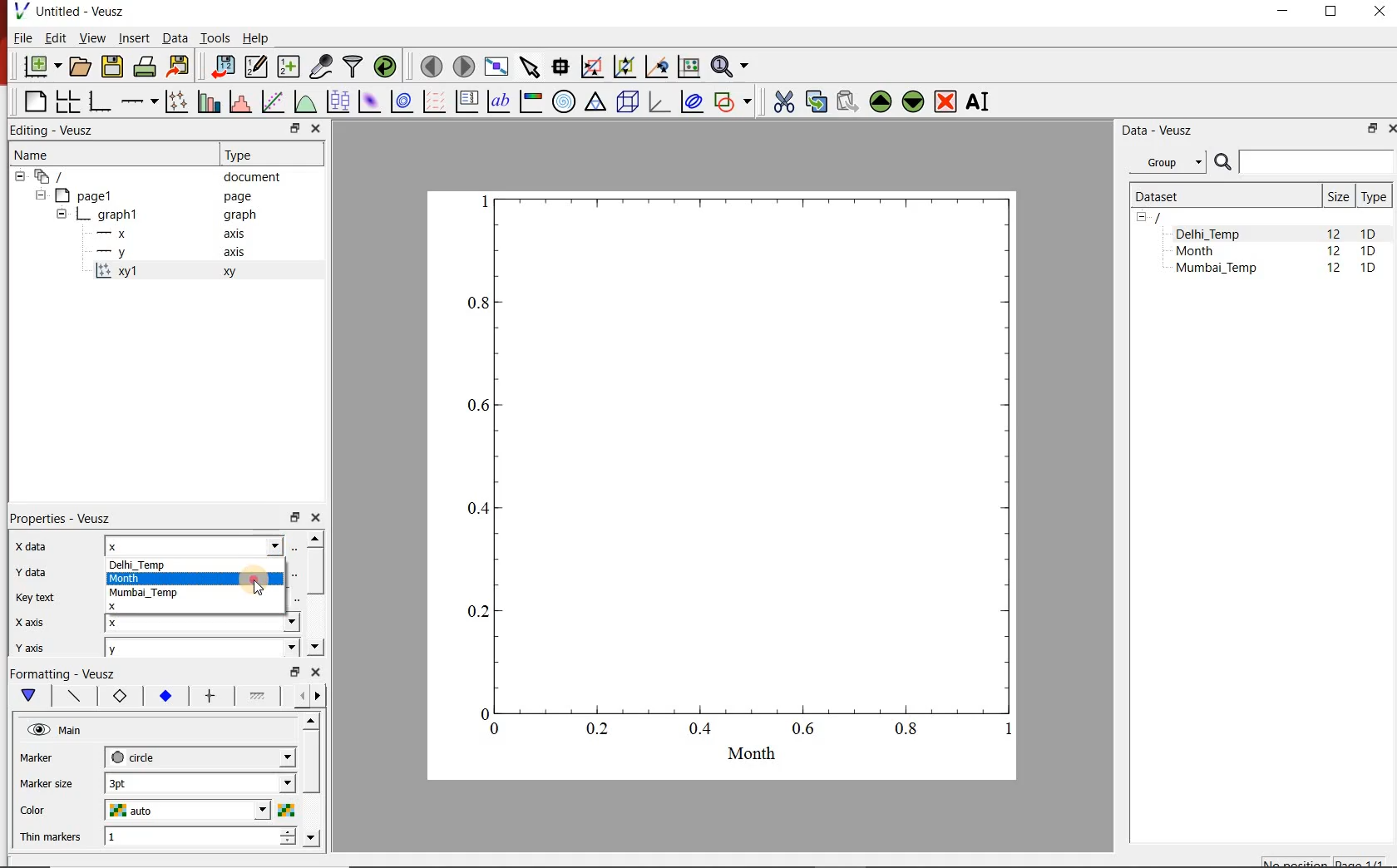 The width and height of the screenshot is (1397, 868). I want to click on xy1, so click(174, 272).